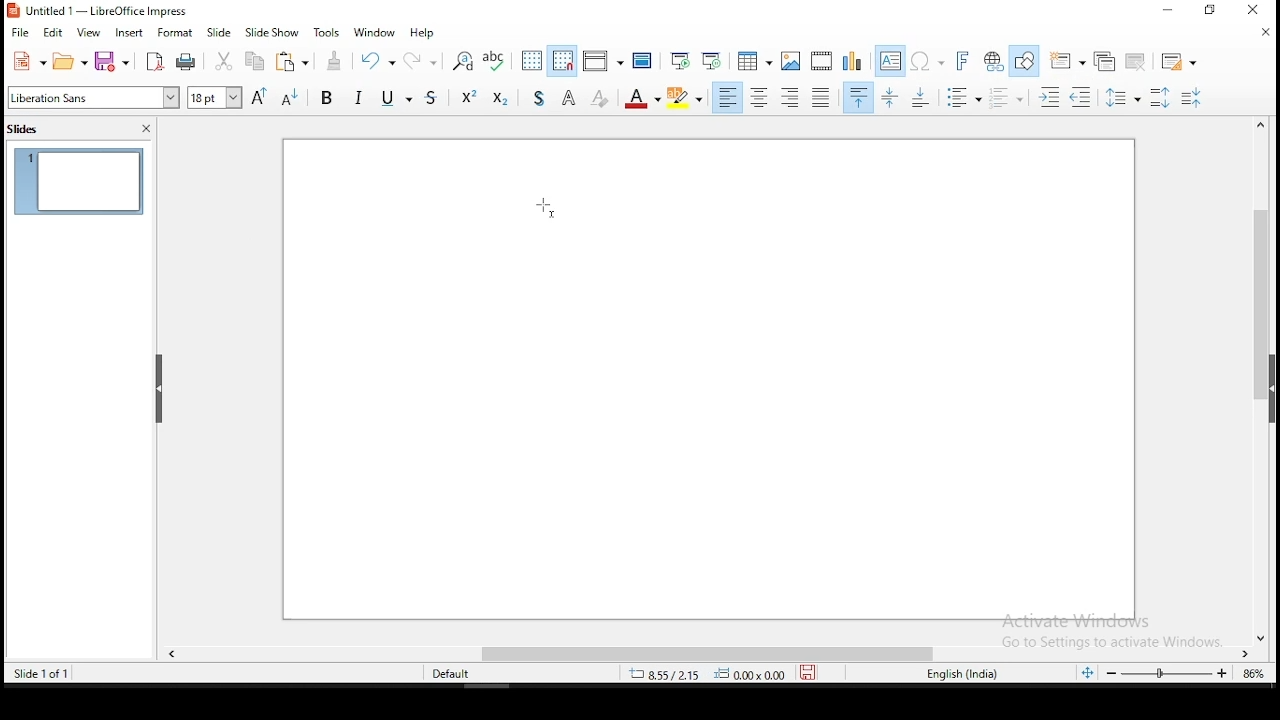  Describe the element at coordinates (548, 208) in the screenshot. I see `mouse poointer` at that location.